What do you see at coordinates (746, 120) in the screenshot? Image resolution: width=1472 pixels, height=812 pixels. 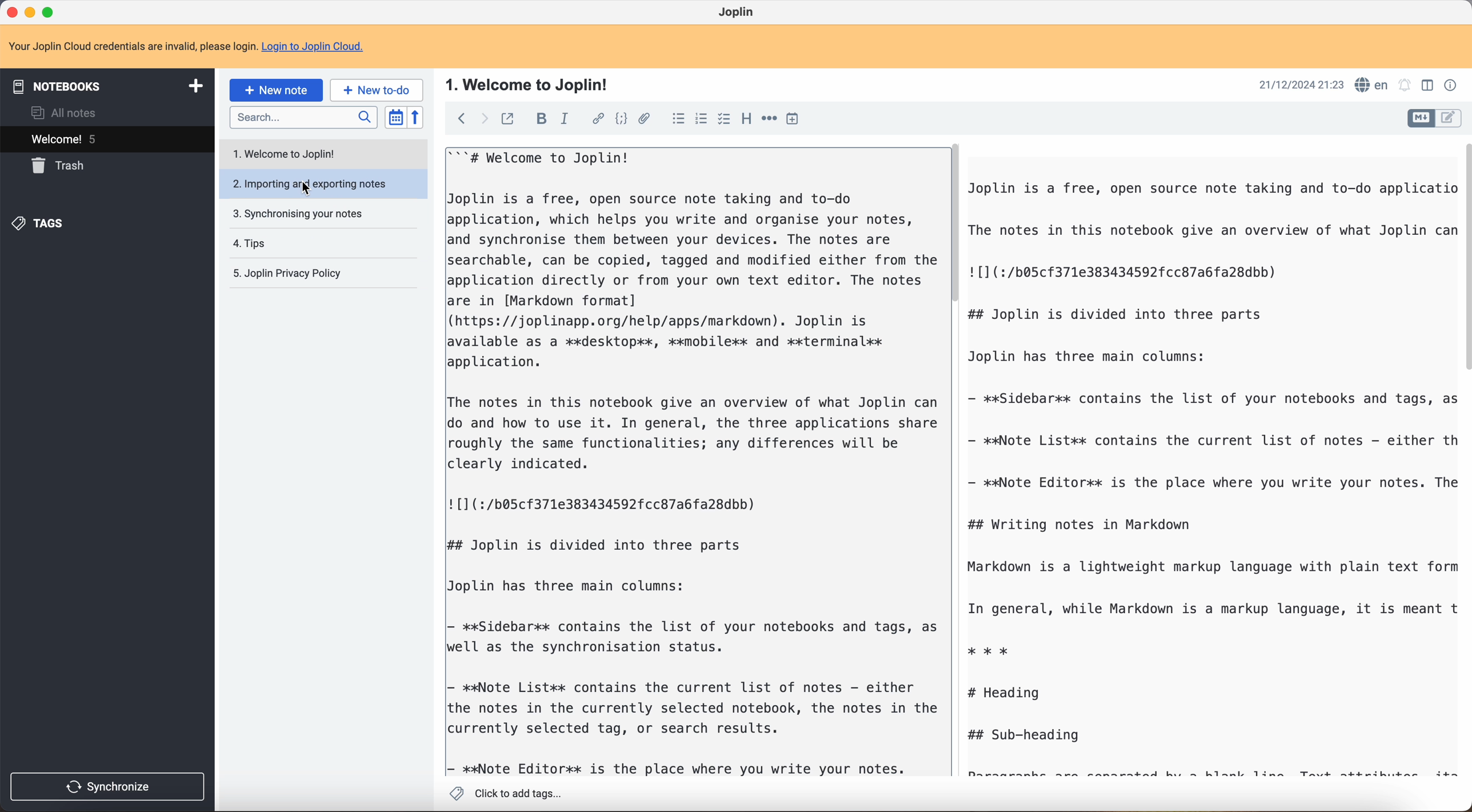 I see `heading` at bounding box center [746, 120].